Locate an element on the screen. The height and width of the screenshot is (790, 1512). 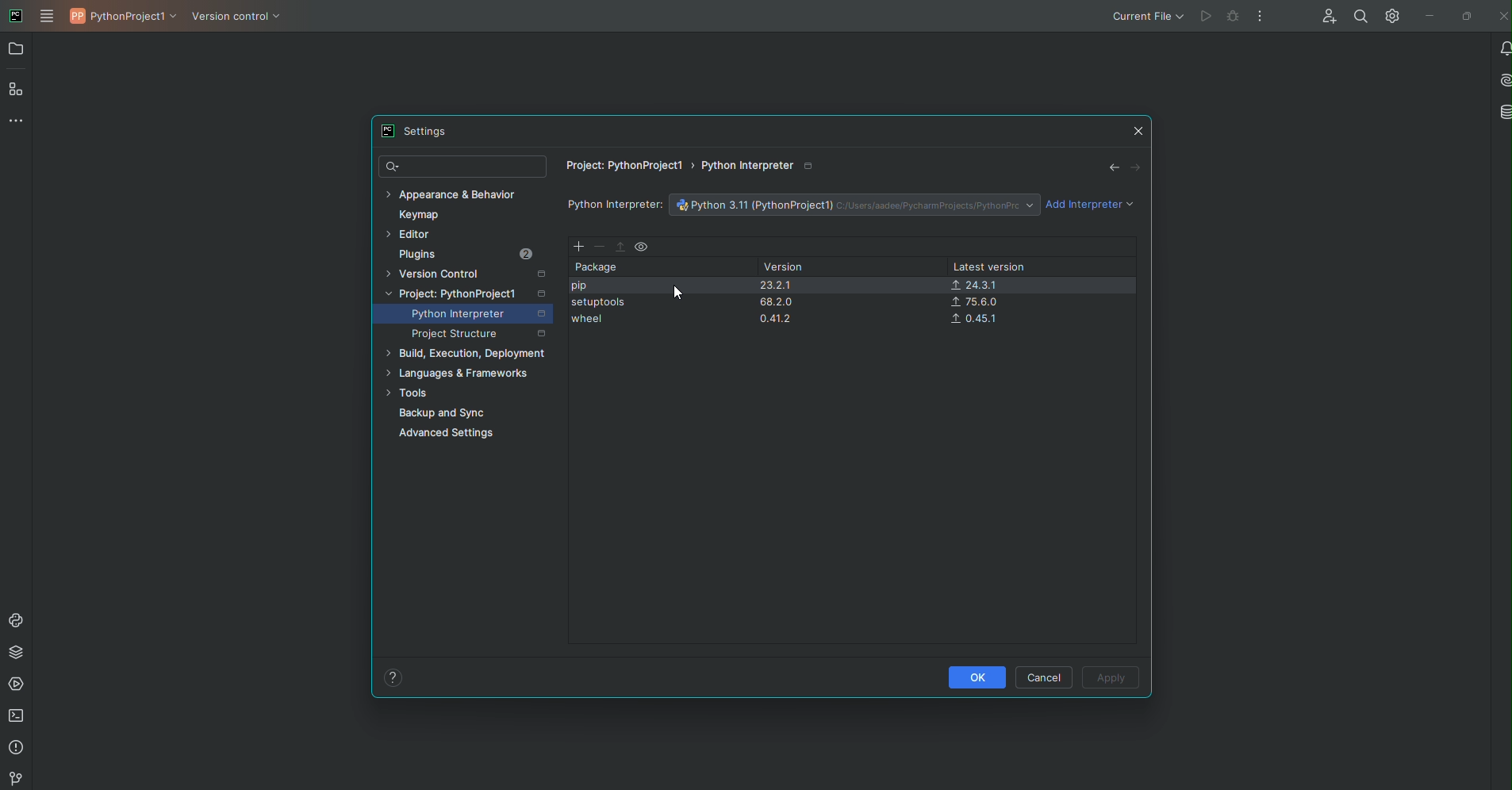
Delete is located at coordinates (598, 247).